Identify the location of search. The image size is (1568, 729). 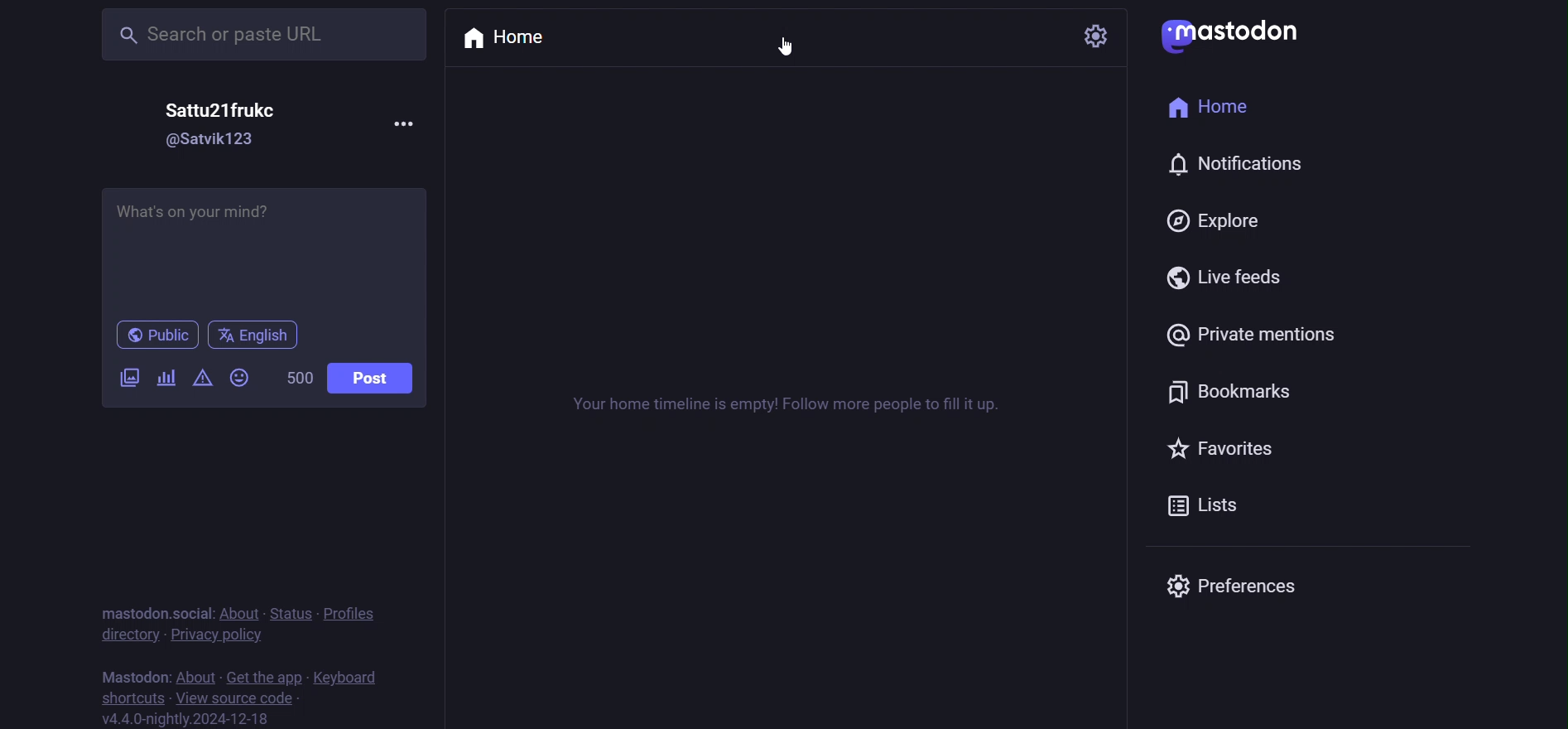
(258, 36).